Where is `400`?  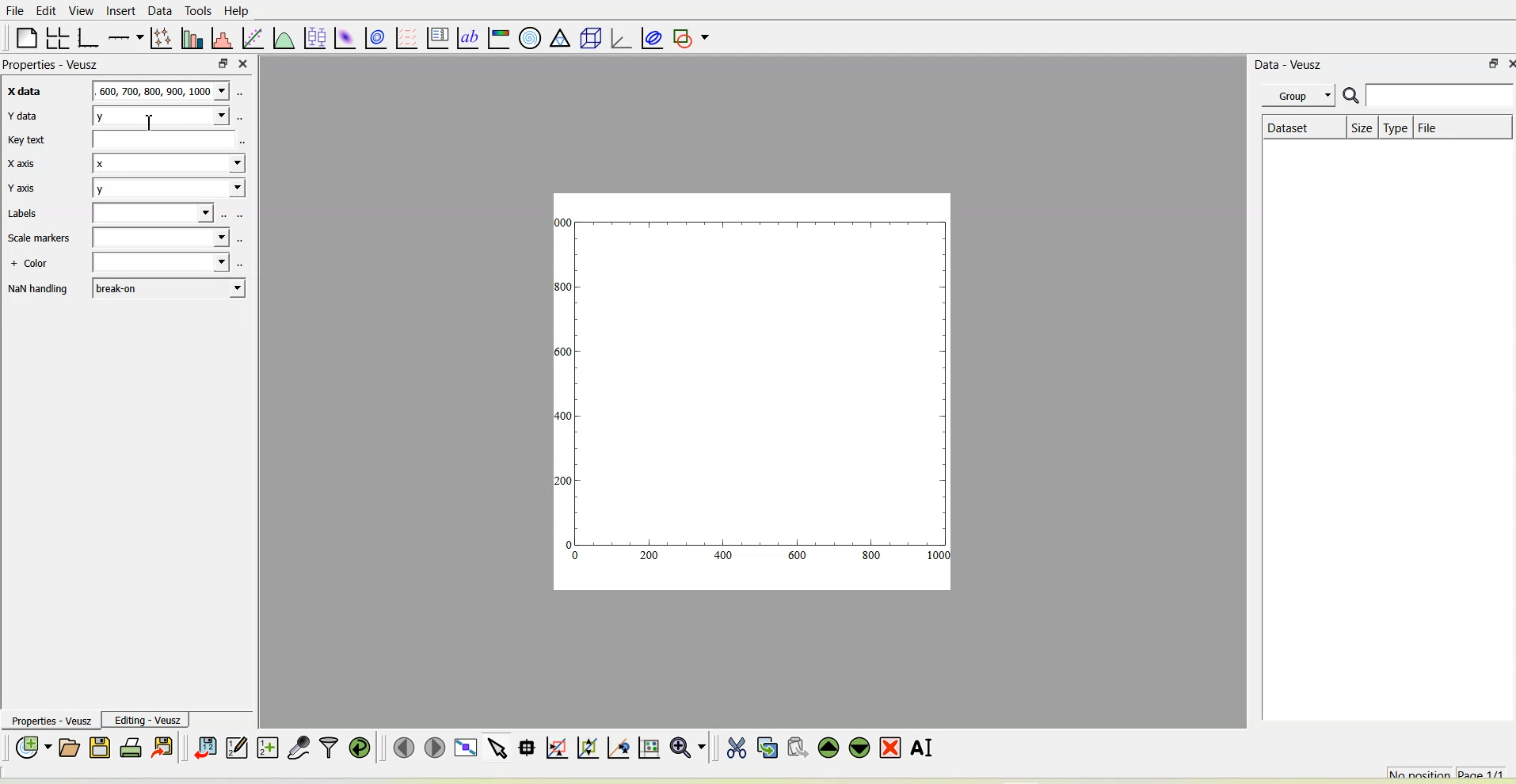
400 is located at coordinates (564, 414).